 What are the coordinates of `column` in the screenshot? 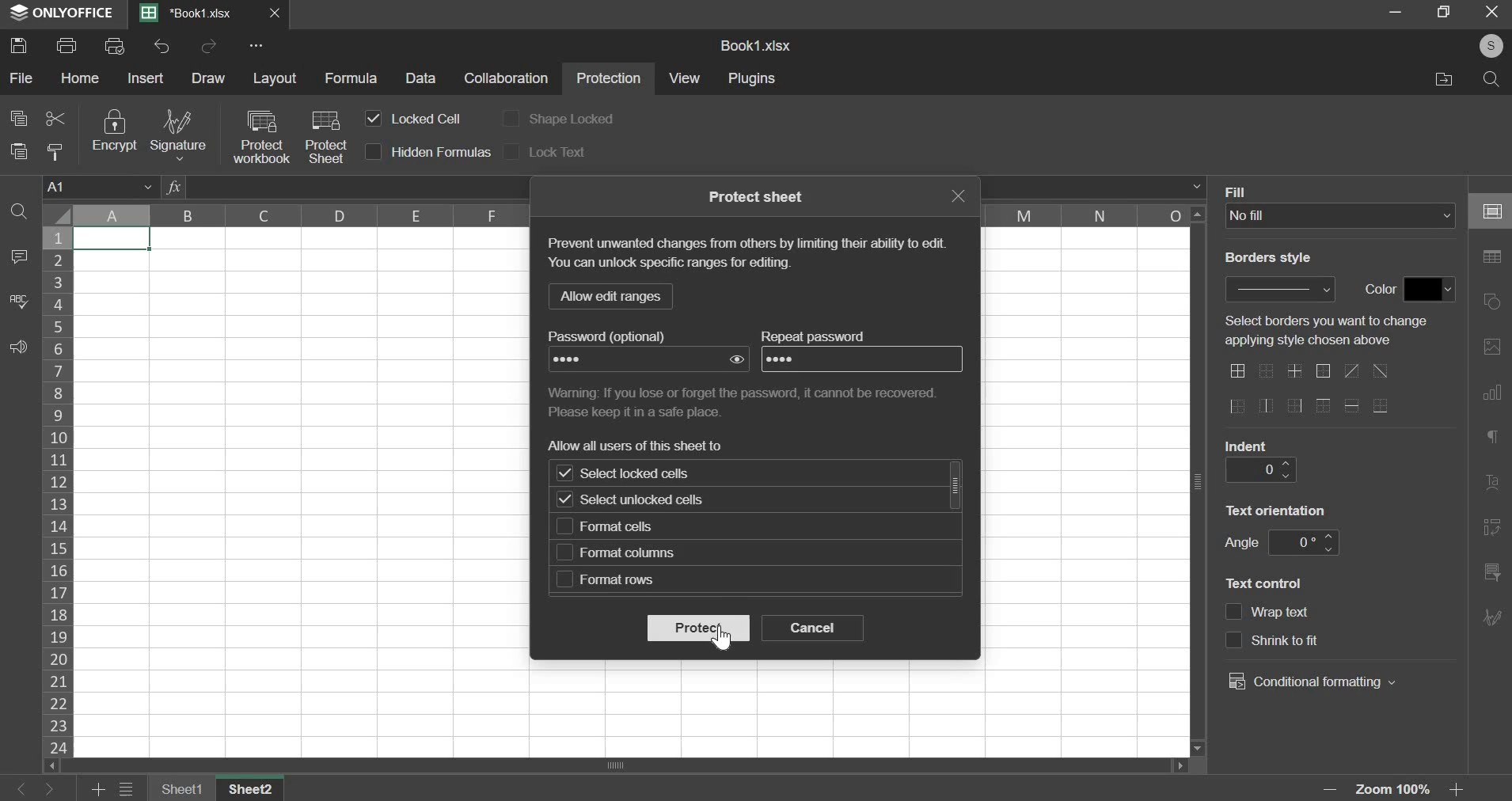 It's located at (295, 214).